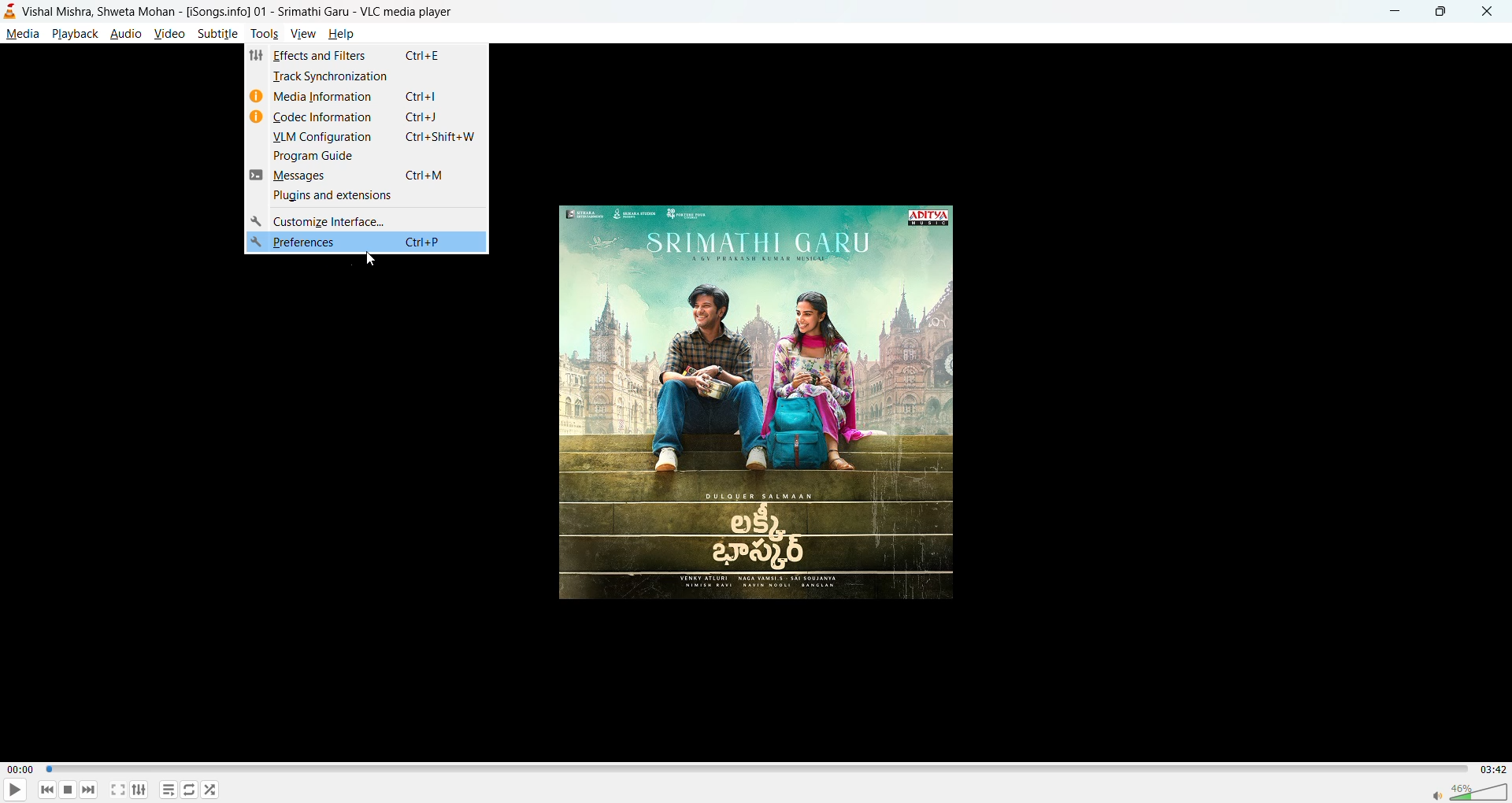 The width and height of the screenshot is (1512, 803). Describe the element at coordinates (330, 196) in the screenshot. I see `plugins and extensions` at that location.